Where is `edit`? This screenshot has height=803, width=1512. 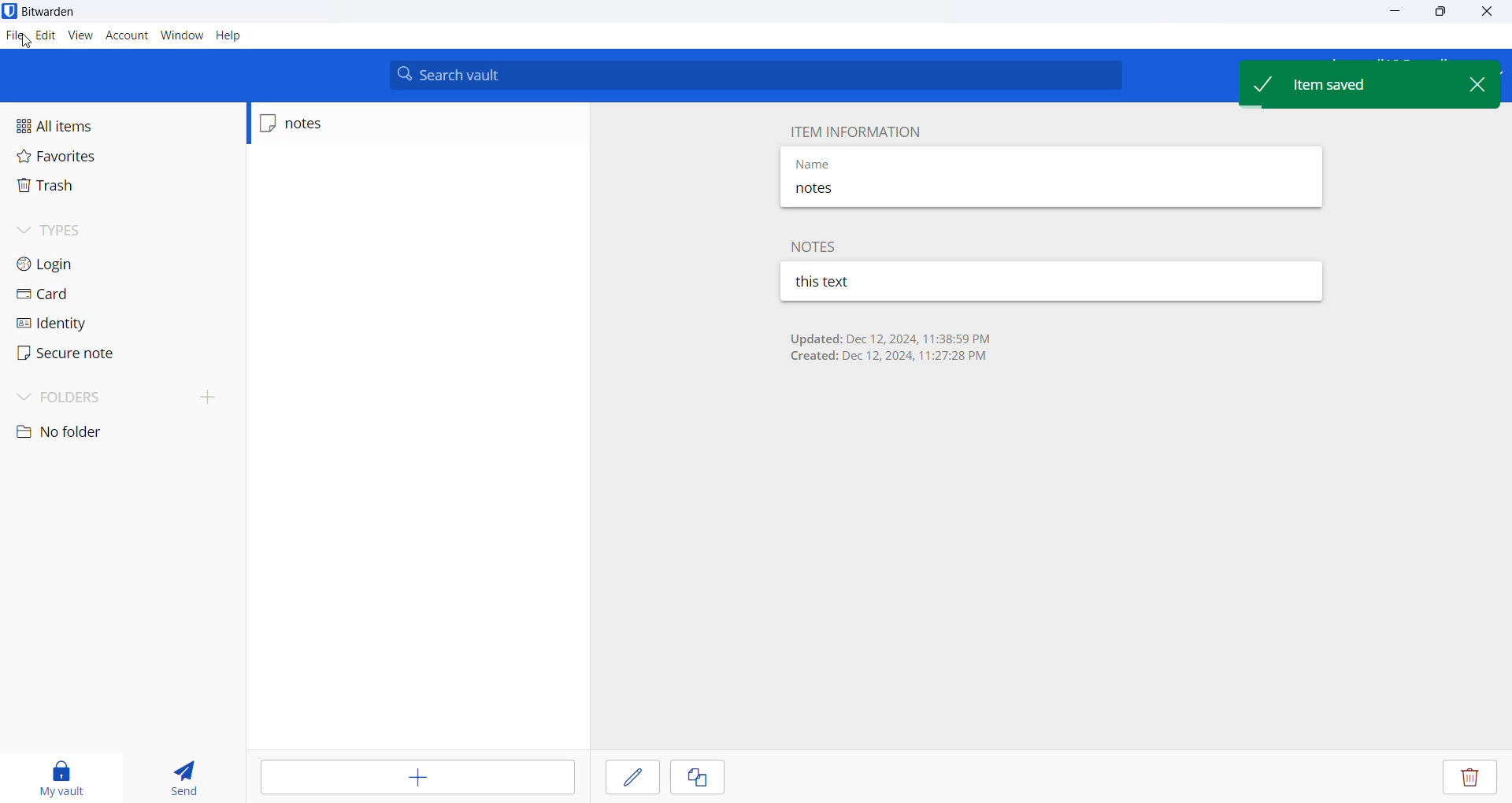
edit is located at coordinates (45, 36).